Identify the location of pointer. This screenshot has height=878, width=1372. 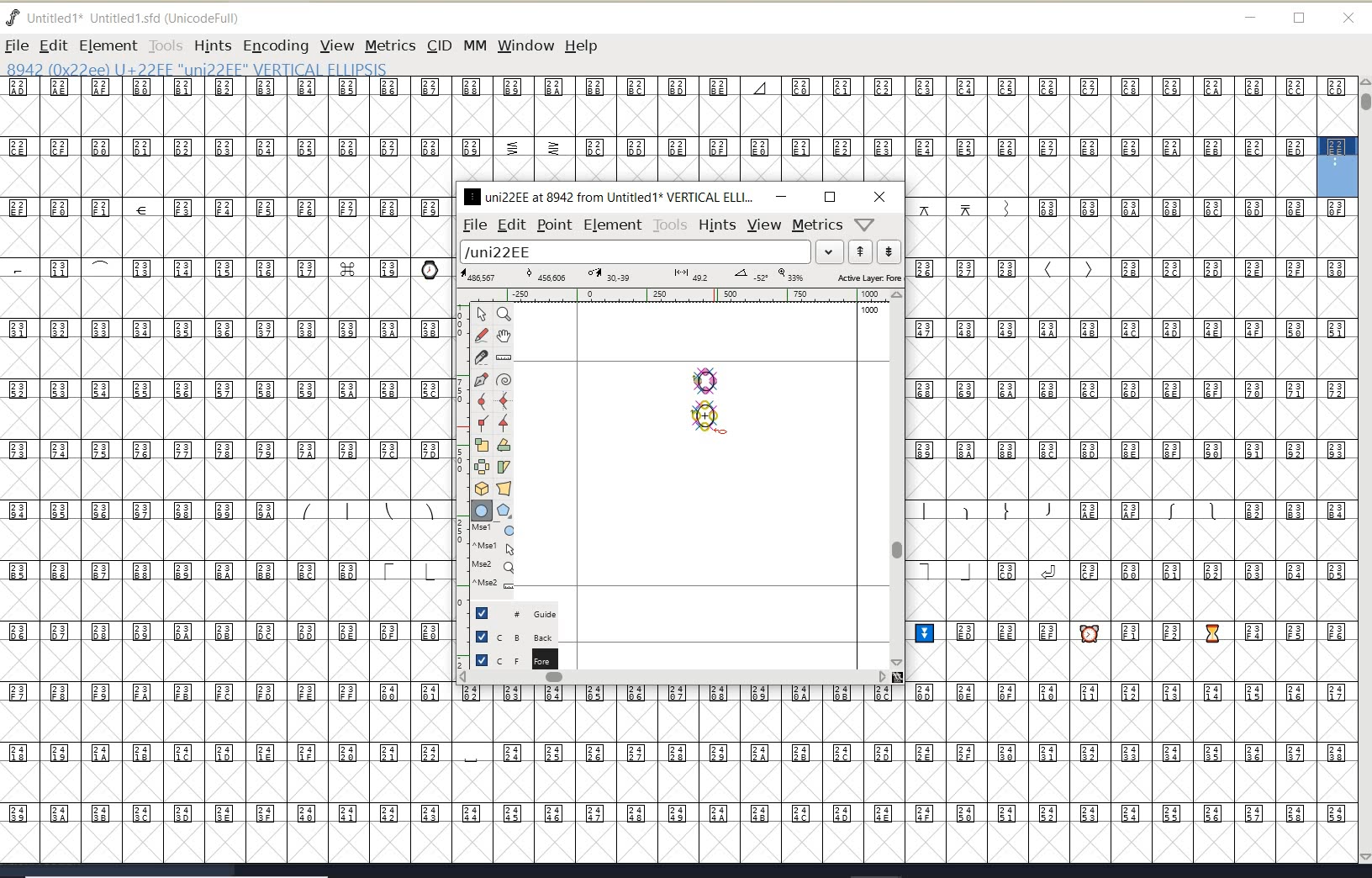
(483, 315).